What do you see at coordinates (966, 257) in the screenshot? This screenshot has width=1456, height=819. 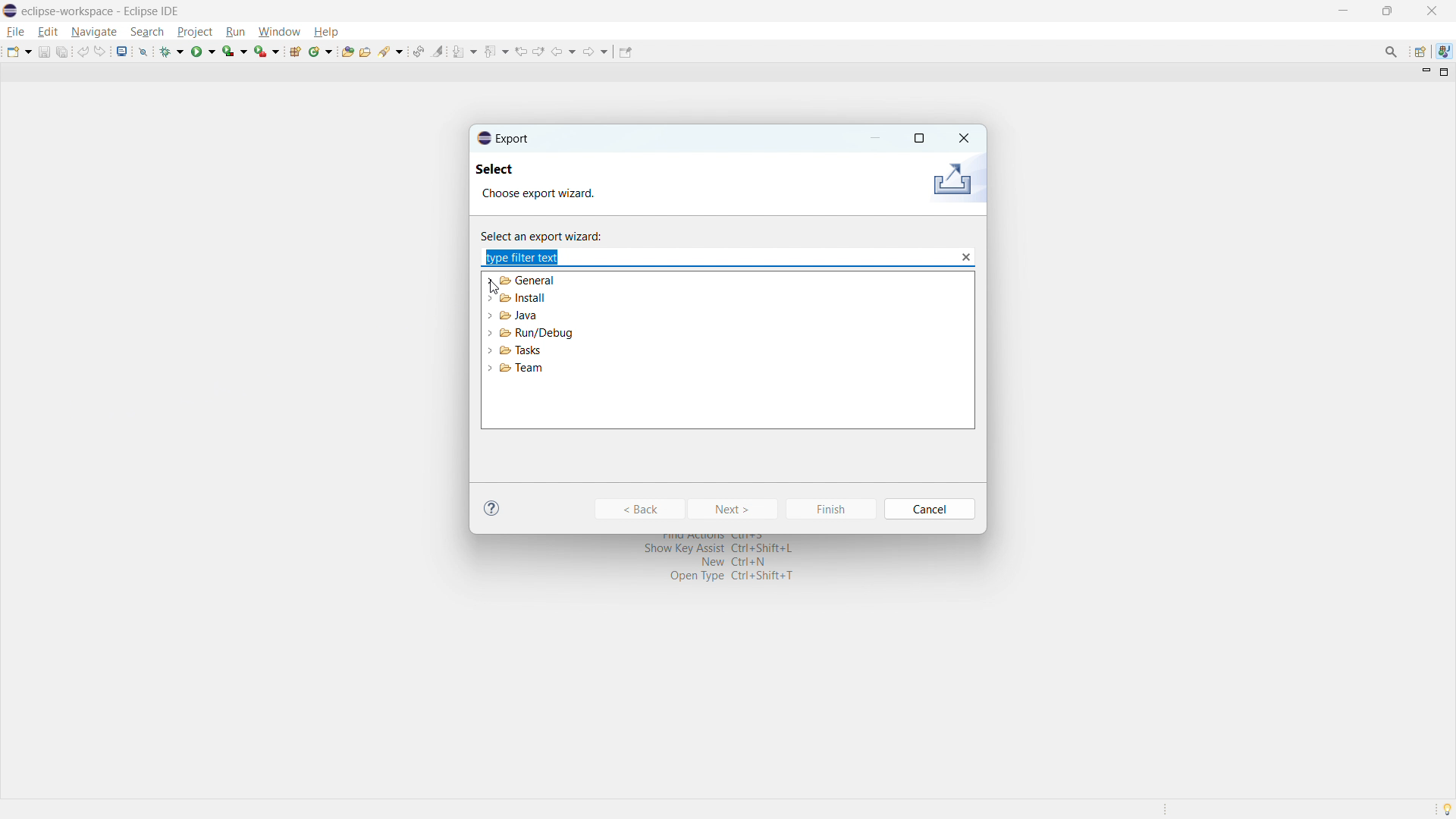 I see `close` at bounding box center [966, 257].